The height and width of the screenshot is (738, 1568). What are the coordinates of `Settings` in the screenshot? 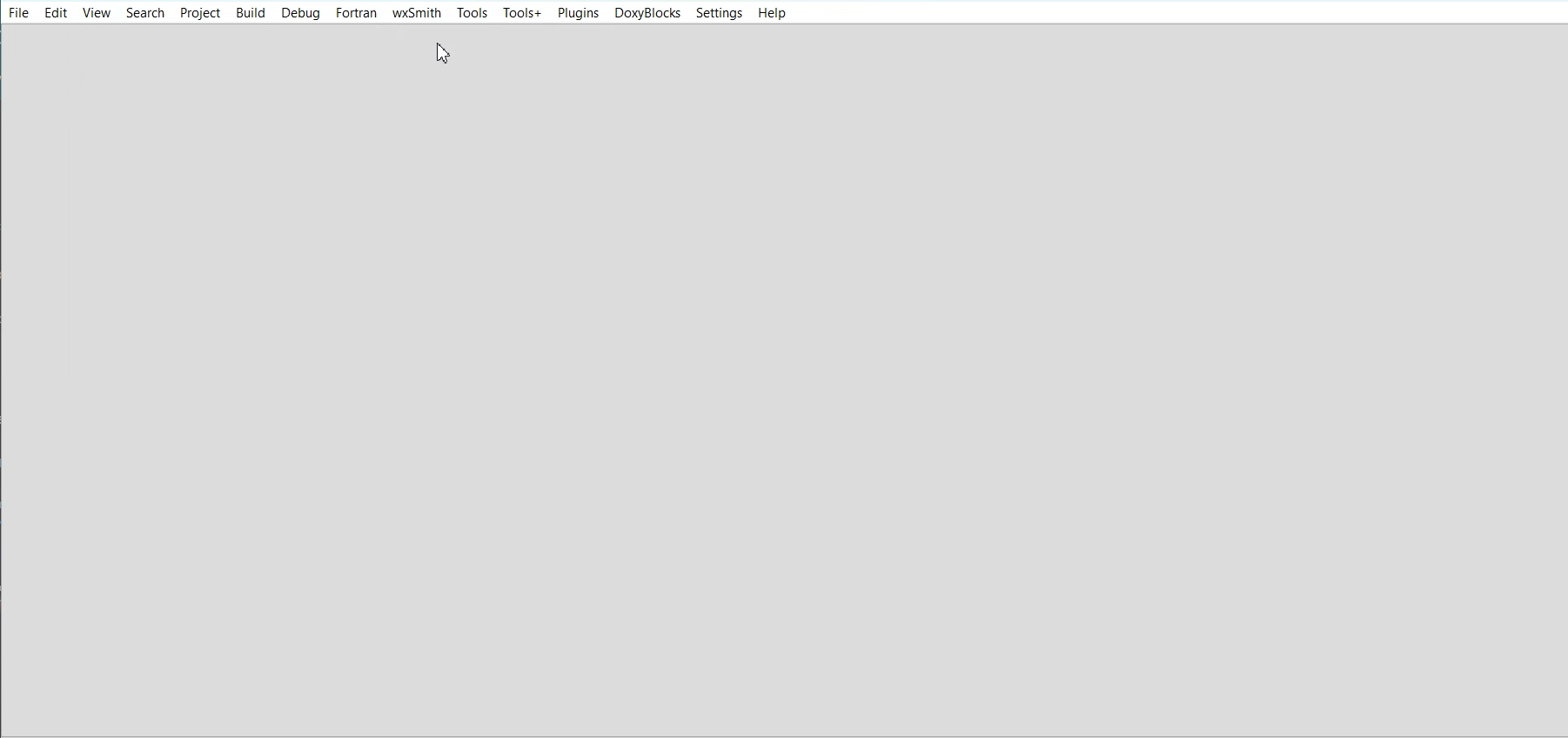 It's located at (719, 13).